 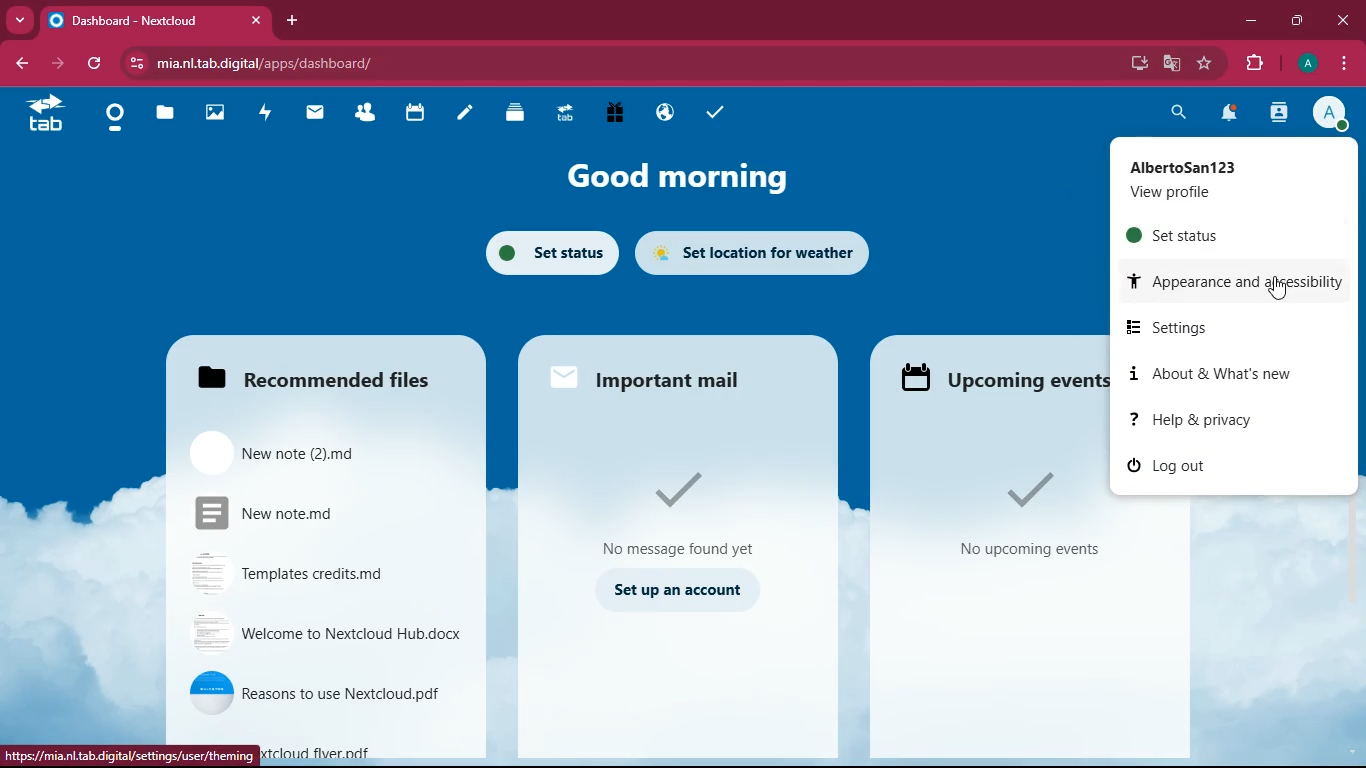 What do you see at coordinates (324, 694) in the screenshot?
I see `file` at bounding box center [324, 694].